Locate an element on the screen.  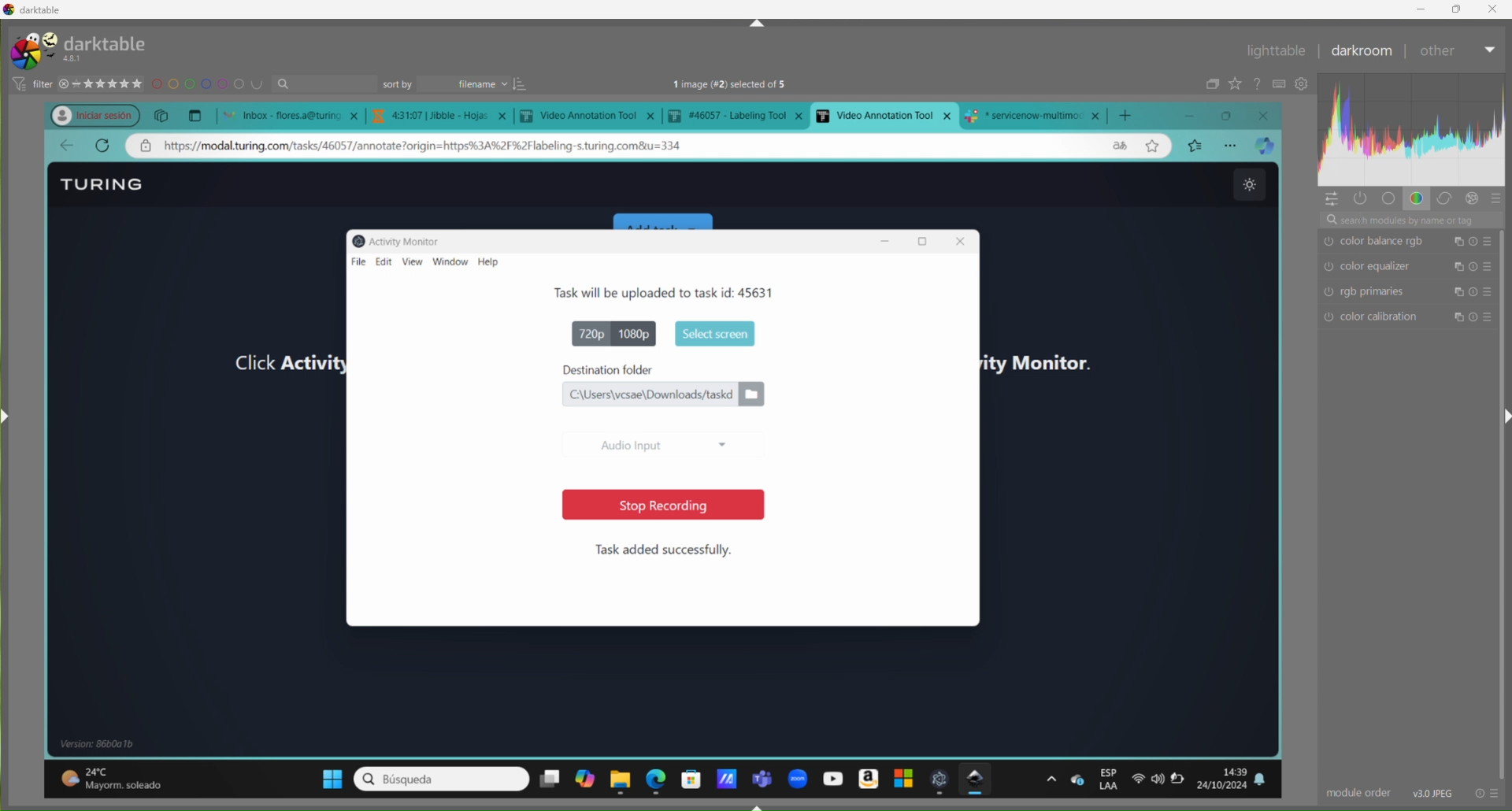
application is located at coordinates (725, 775).